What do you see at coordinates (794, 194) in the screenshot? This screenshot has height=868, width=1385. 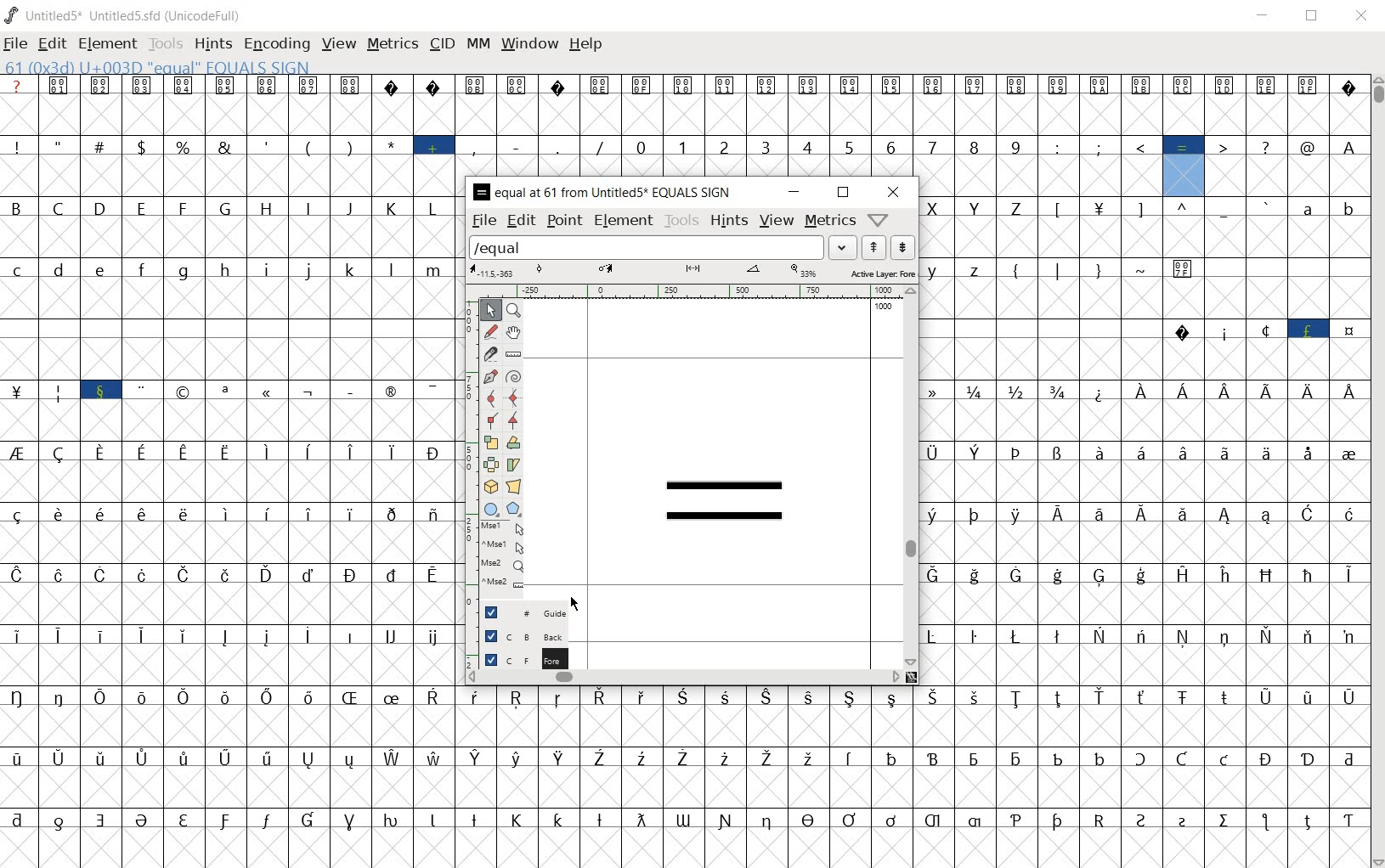 I see `minimize` at bounding box center [794, 194].